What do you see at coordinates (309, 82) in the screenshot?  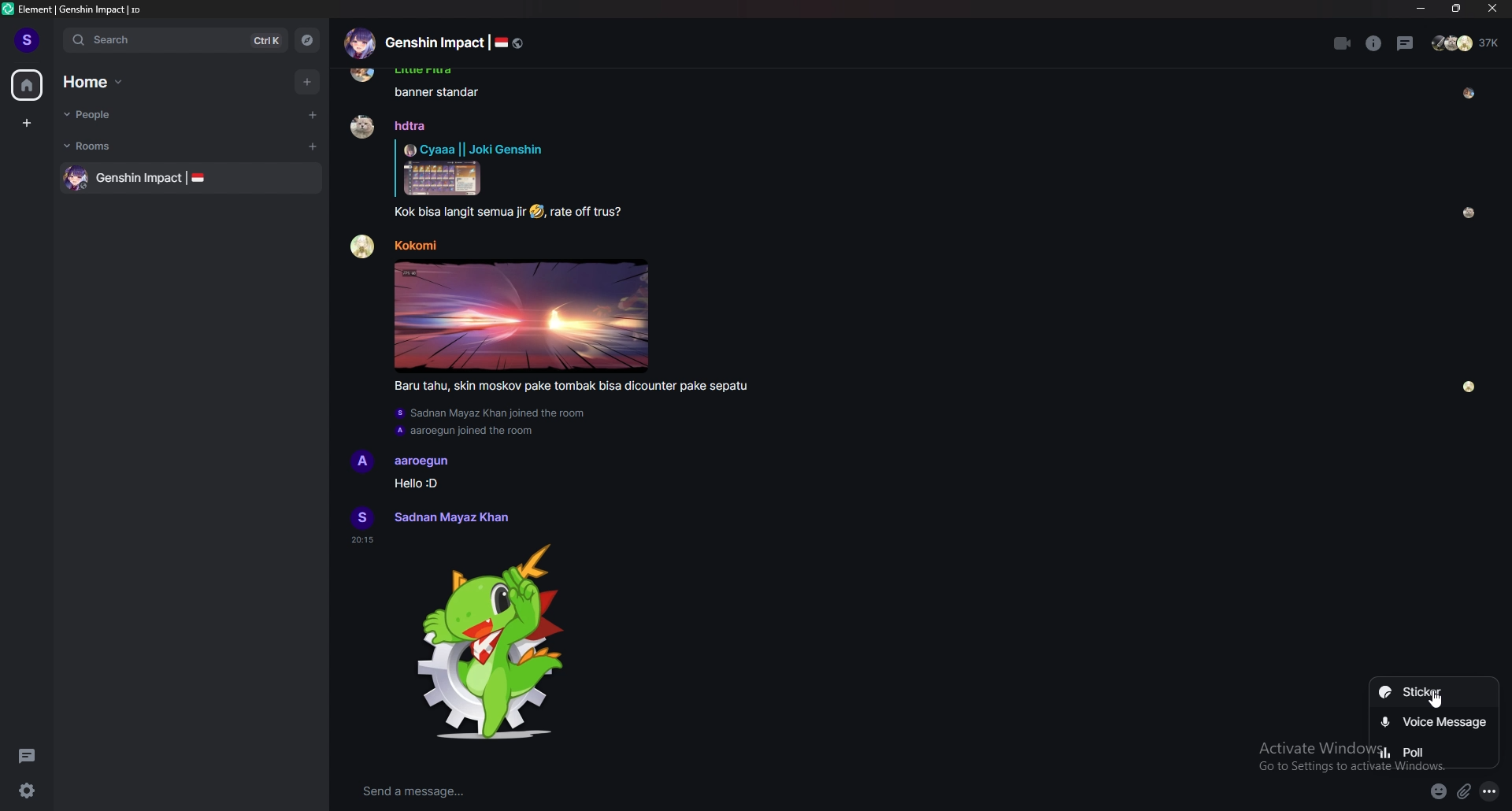 I see `add` at bounding box center [309, 82].